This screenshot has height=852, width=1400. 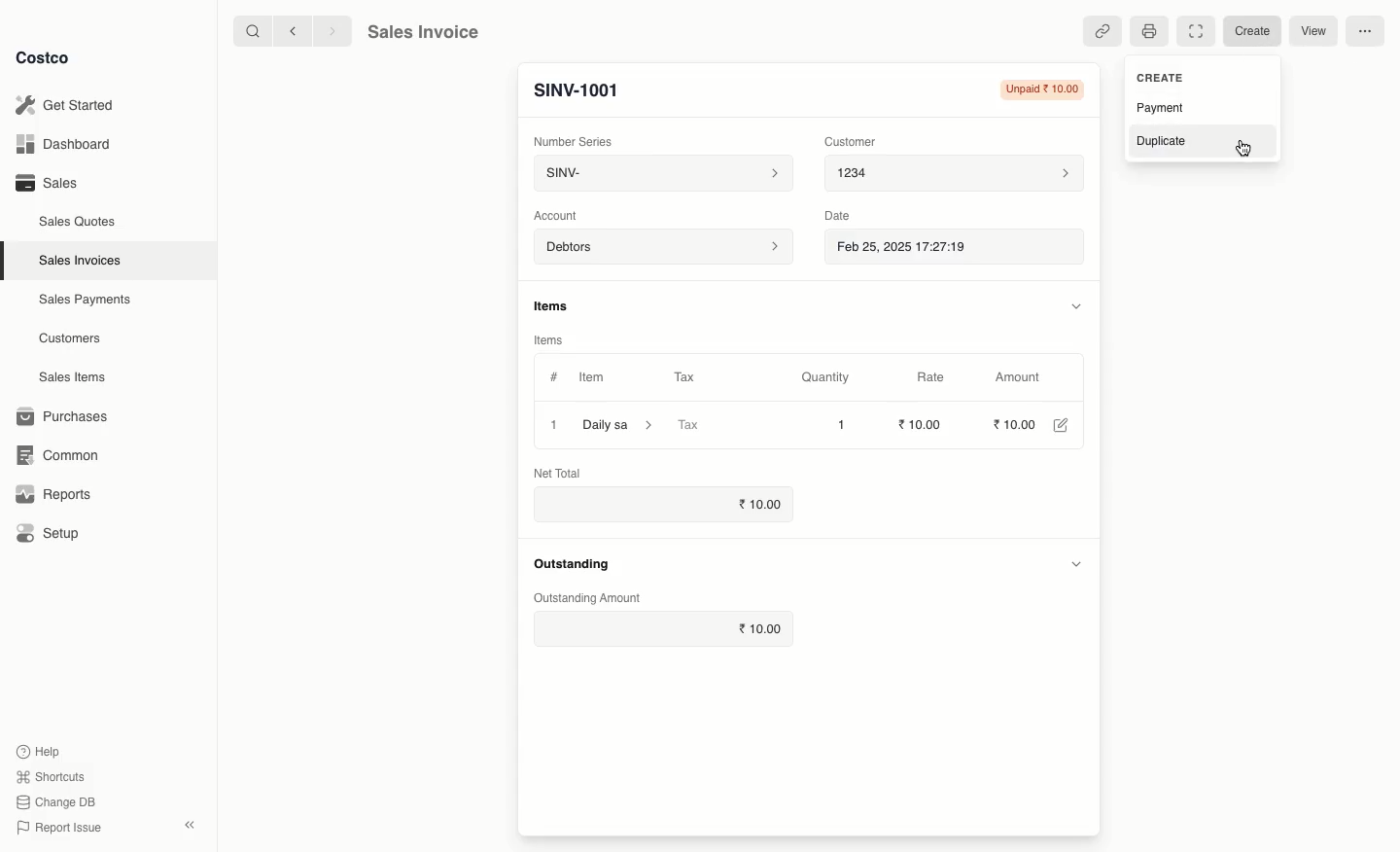 What do you see at coordinates (57, 801) in the screenshot?
I see `Change DB` at bounding box center [57, 801].